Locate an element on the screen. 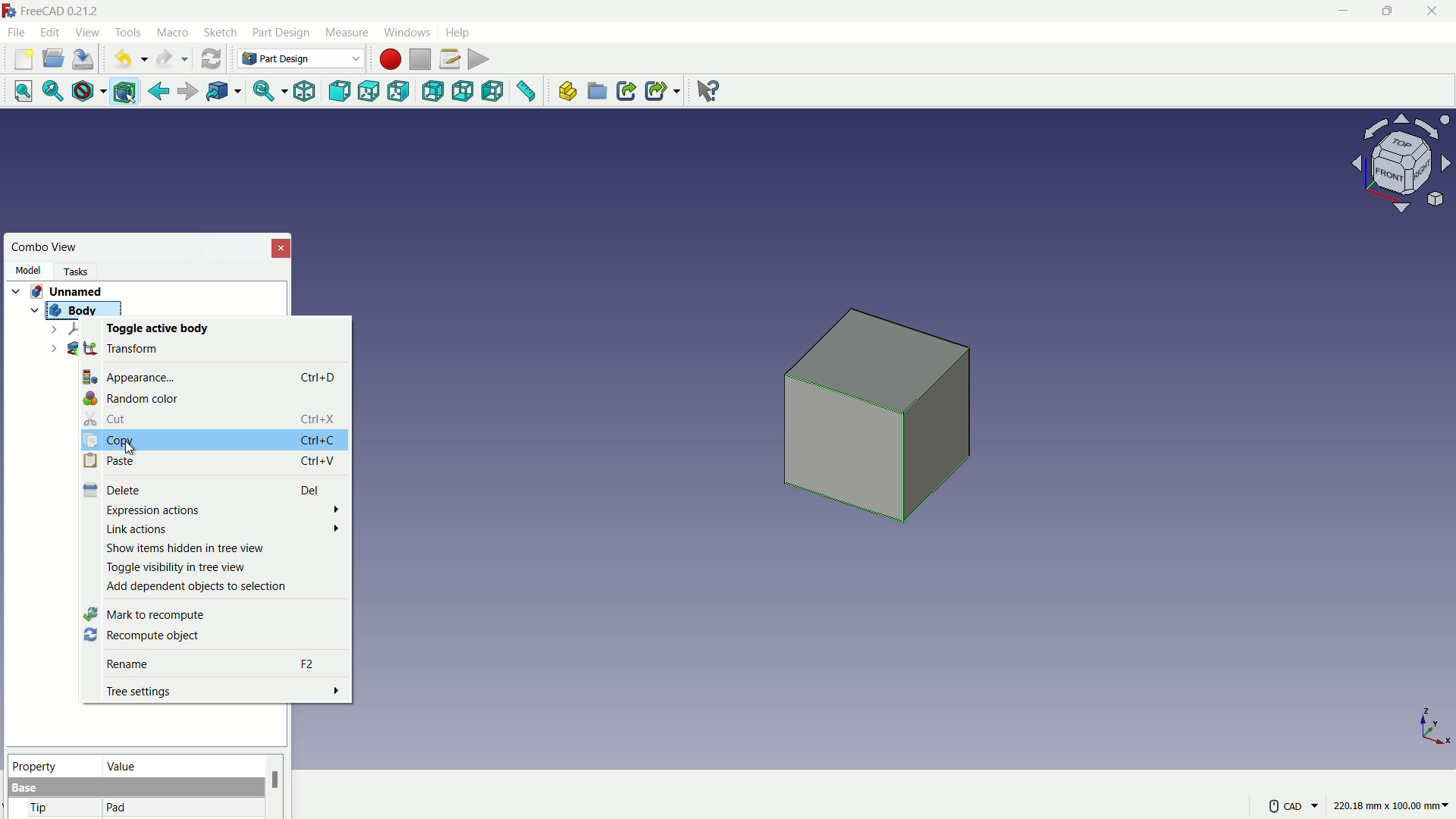 This screenshot has height=819, width=1456. axis is located at coordinates (1435, 726).